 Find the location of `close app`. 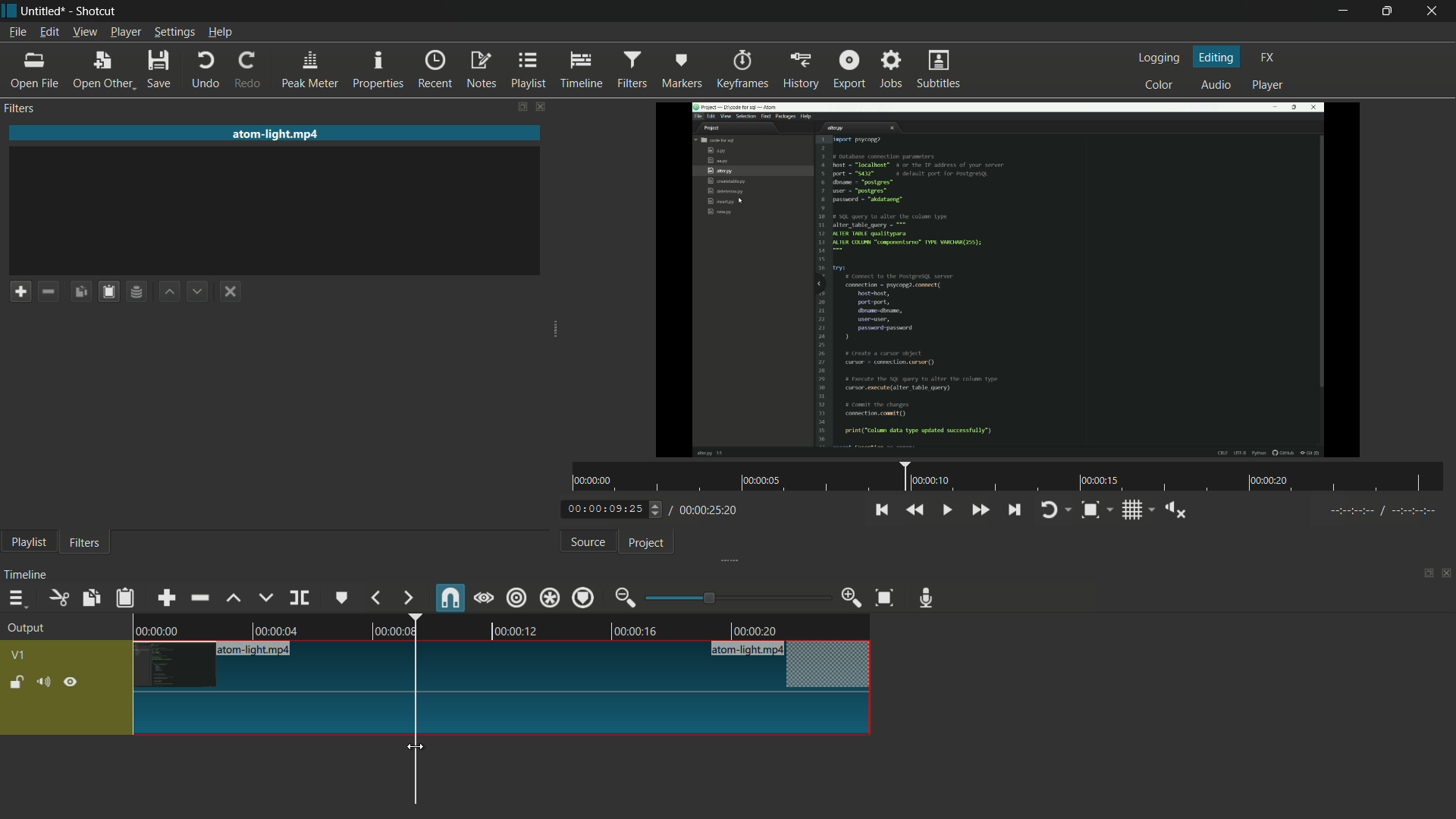

close app is located at coordinates (1437, 11).